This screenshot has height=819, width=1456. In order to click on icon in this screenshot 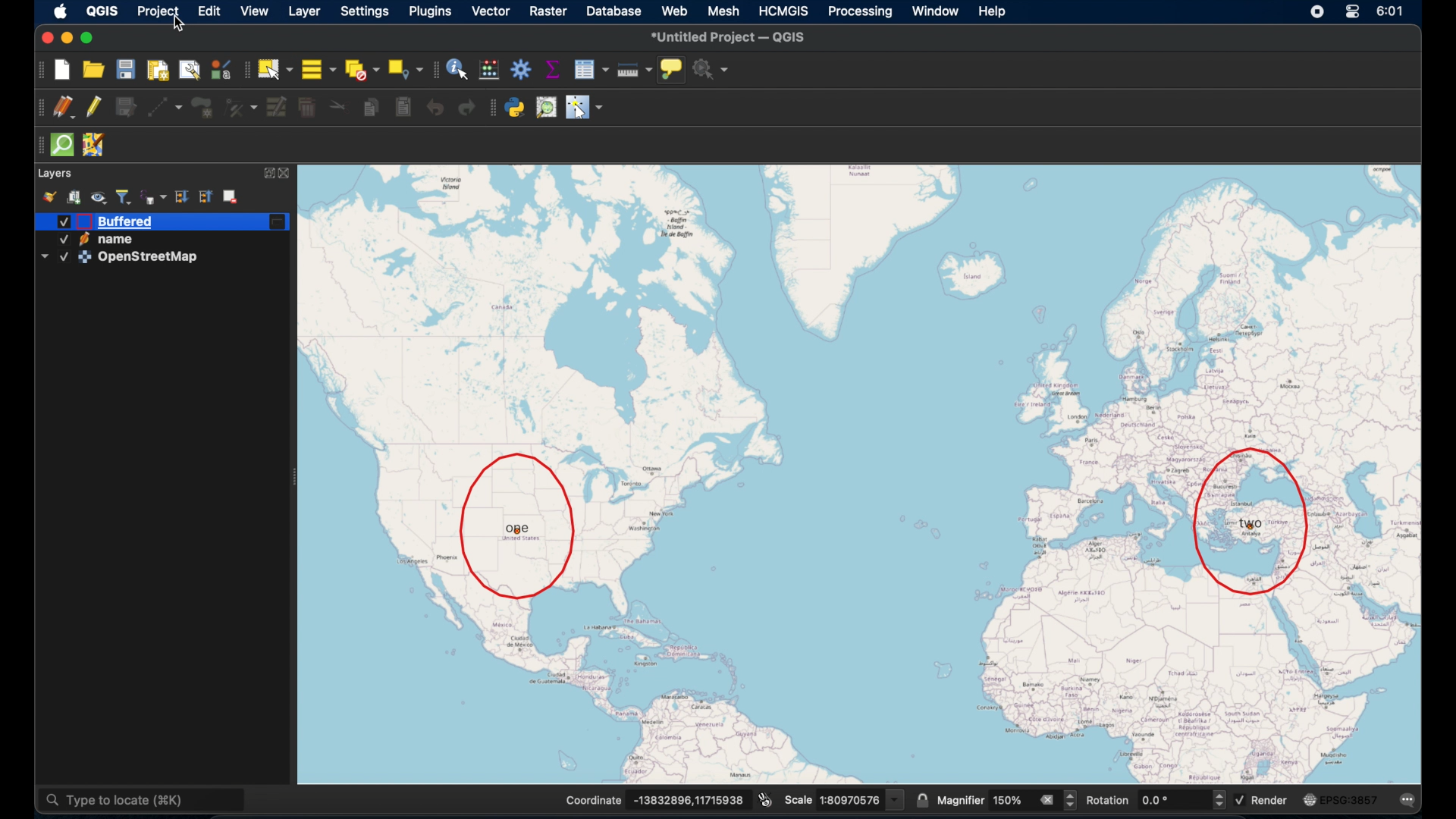, I will do `click(83, 221)`.